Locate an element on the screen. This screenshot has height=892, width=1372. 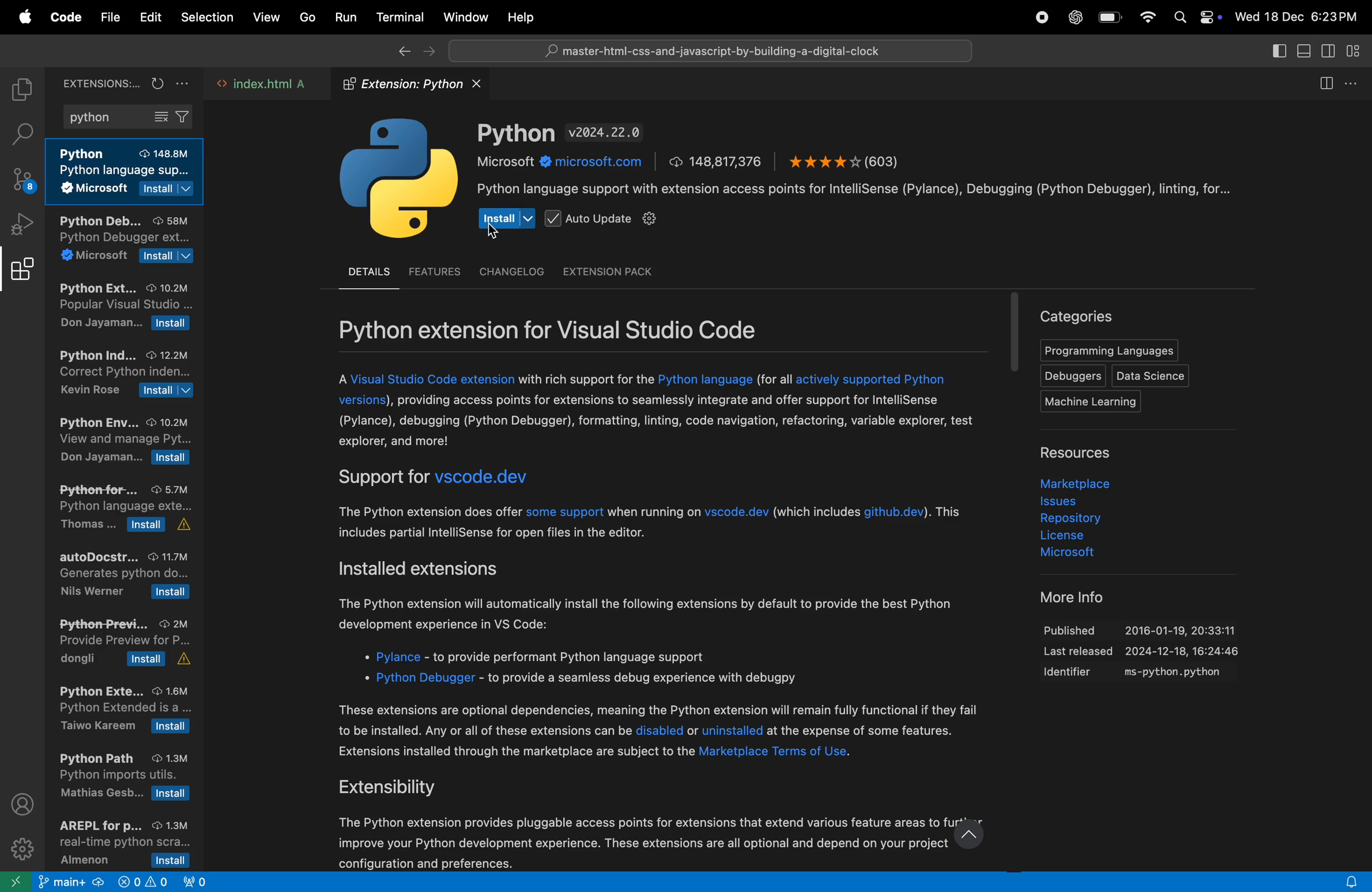
python preview extension is located at coordinates (121, 641).